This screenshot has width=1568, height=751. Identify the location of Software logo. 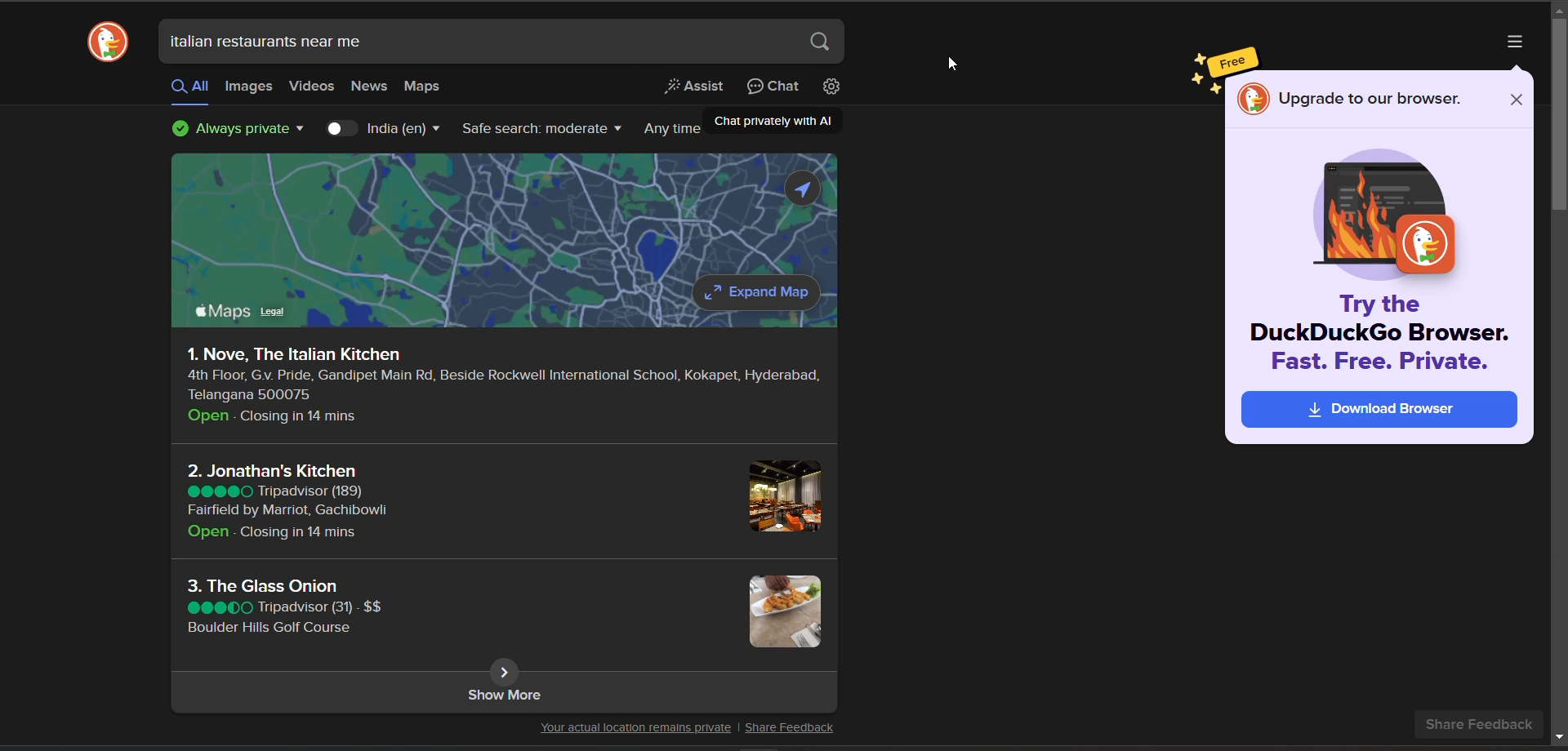
(1254, 99).